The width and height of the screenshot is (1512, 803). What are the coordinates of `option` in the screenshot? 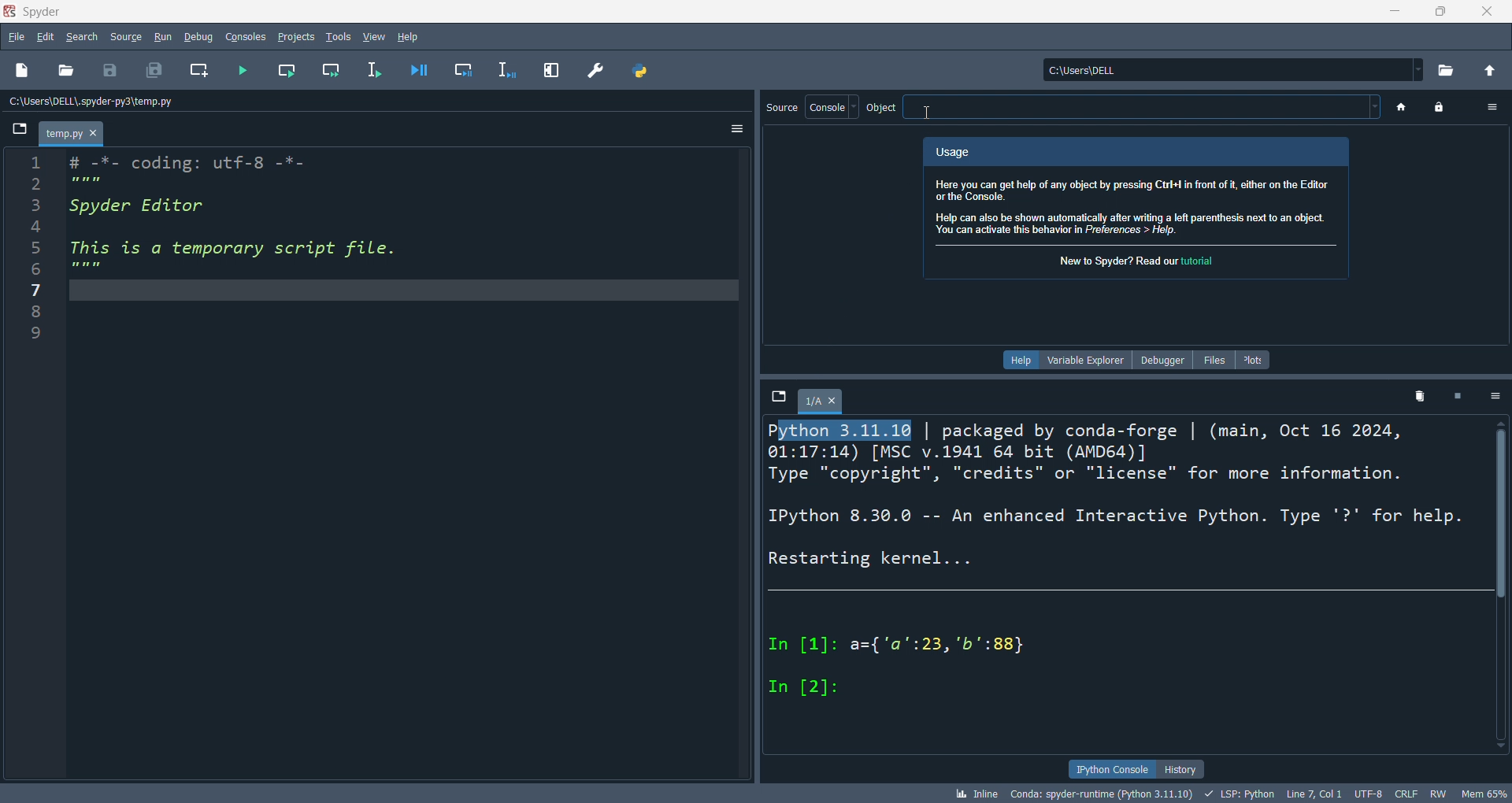 It's located at (1484, 107).